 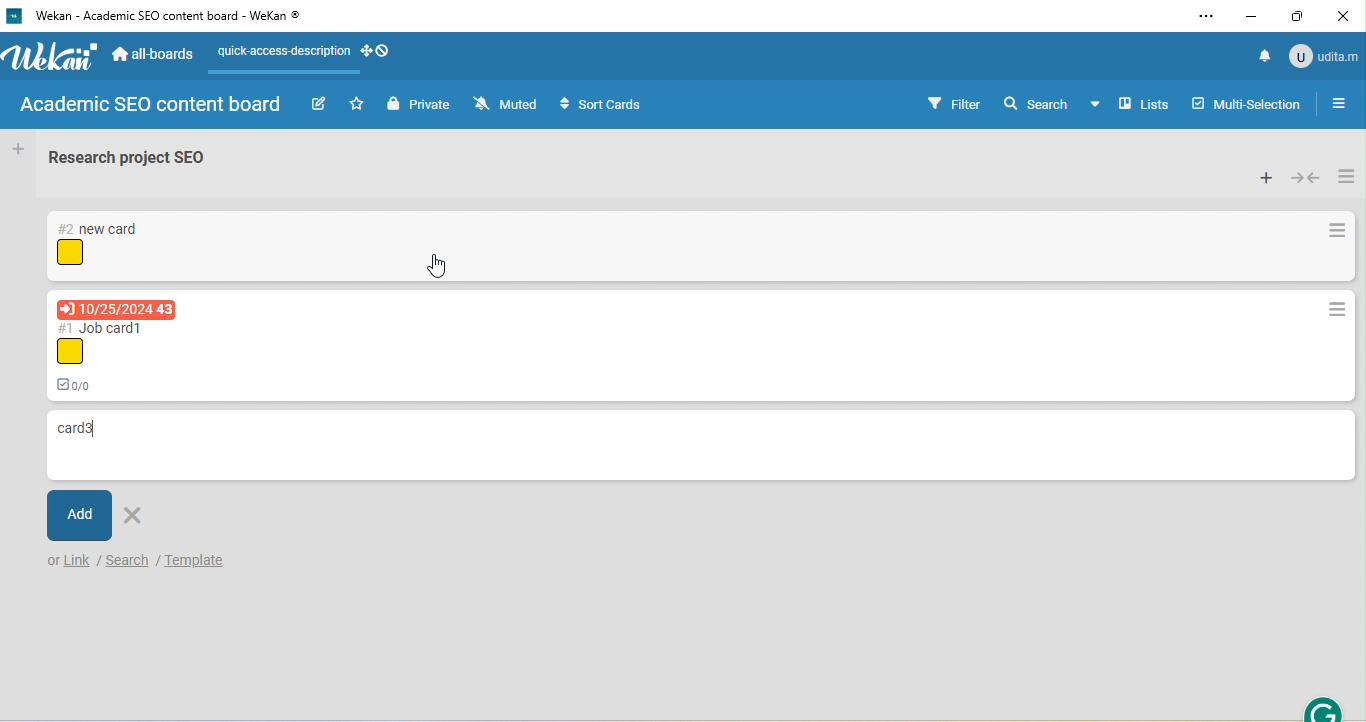 I want to click on or, so click(x=53, y=562).